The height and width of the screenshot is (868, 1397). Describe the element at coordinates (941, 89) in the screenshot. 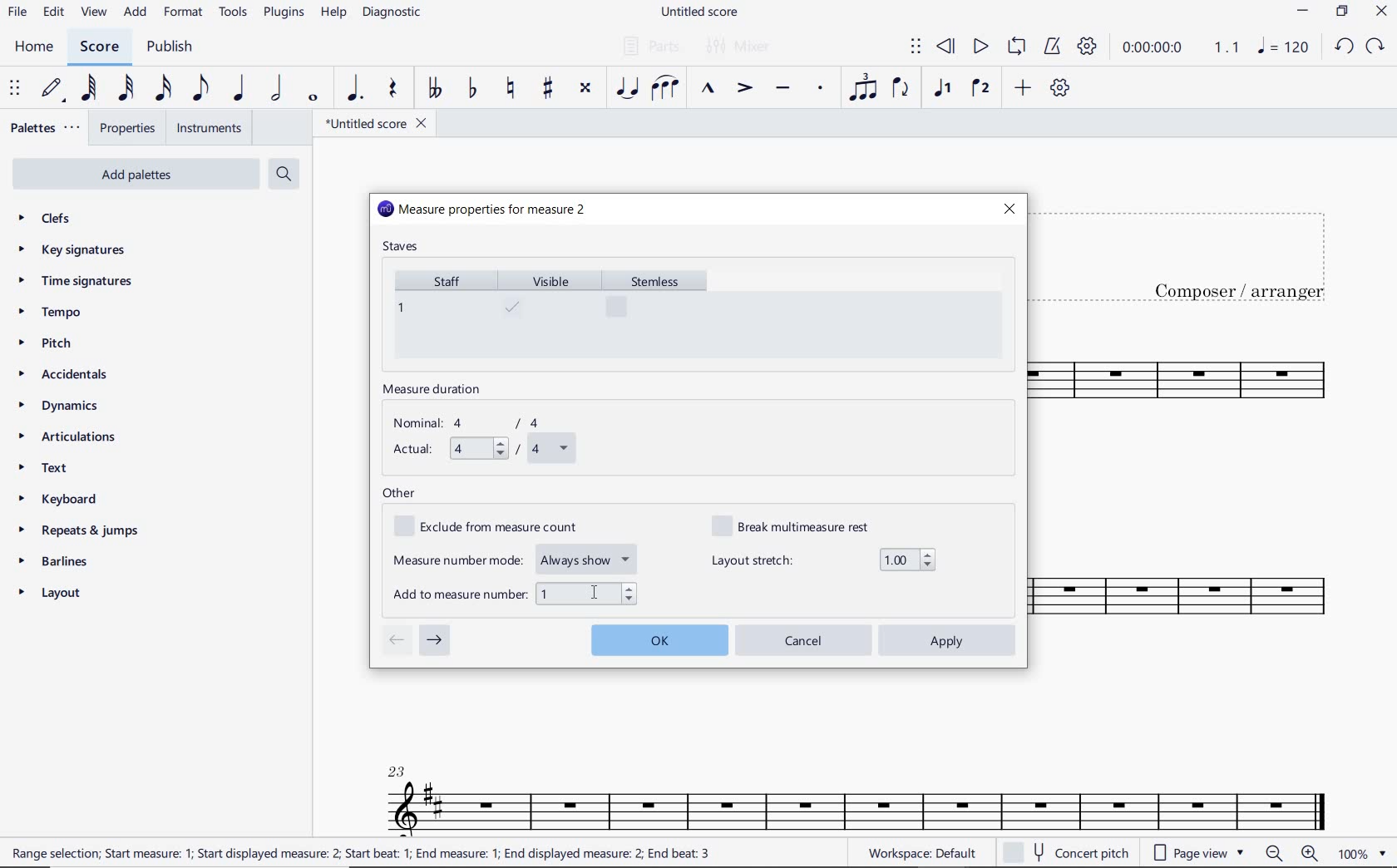

I see `VOICE 1` at that location.